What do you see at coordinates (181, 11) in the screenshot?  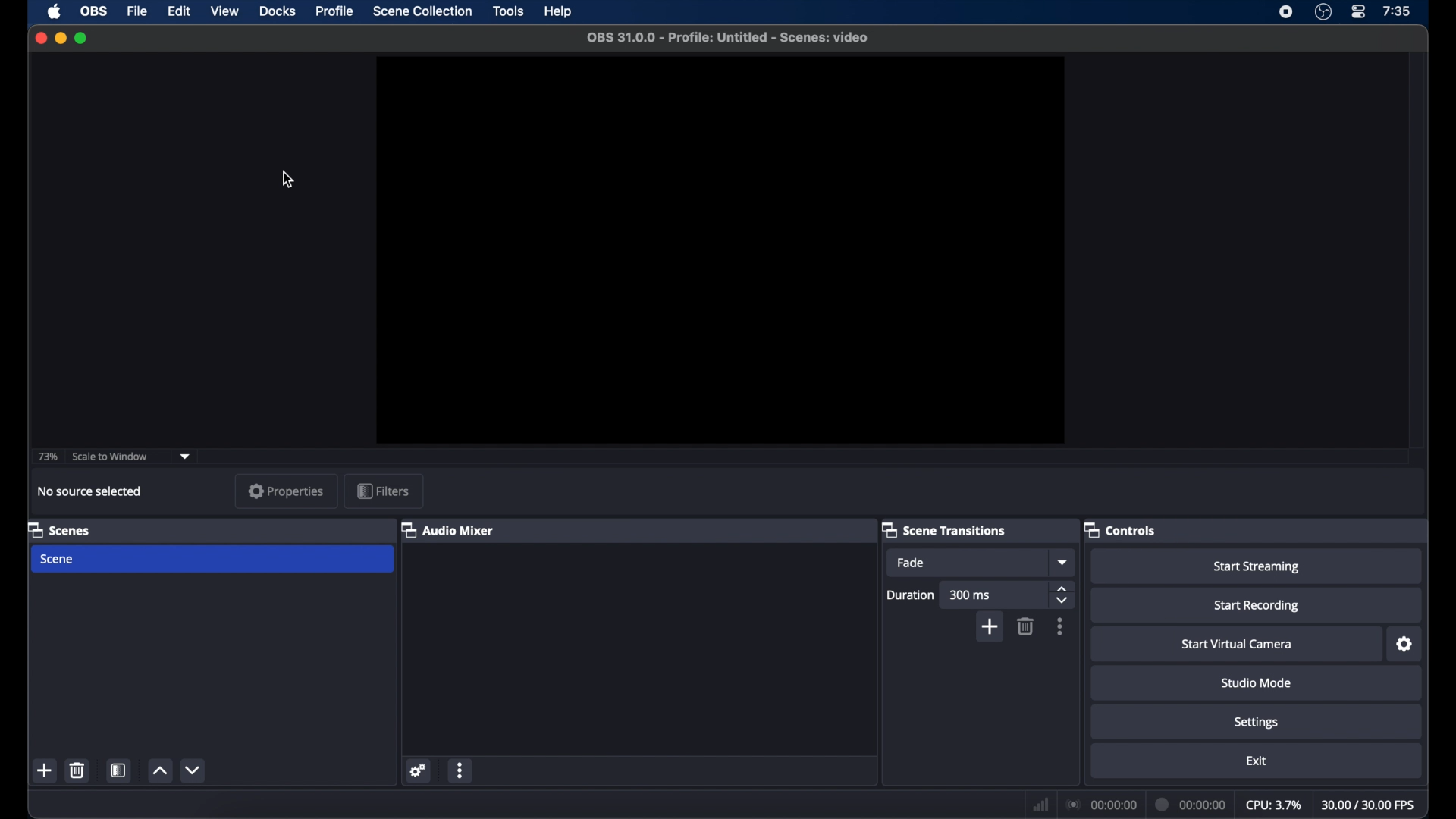 I see `edit` at bounding box center [181, 11].